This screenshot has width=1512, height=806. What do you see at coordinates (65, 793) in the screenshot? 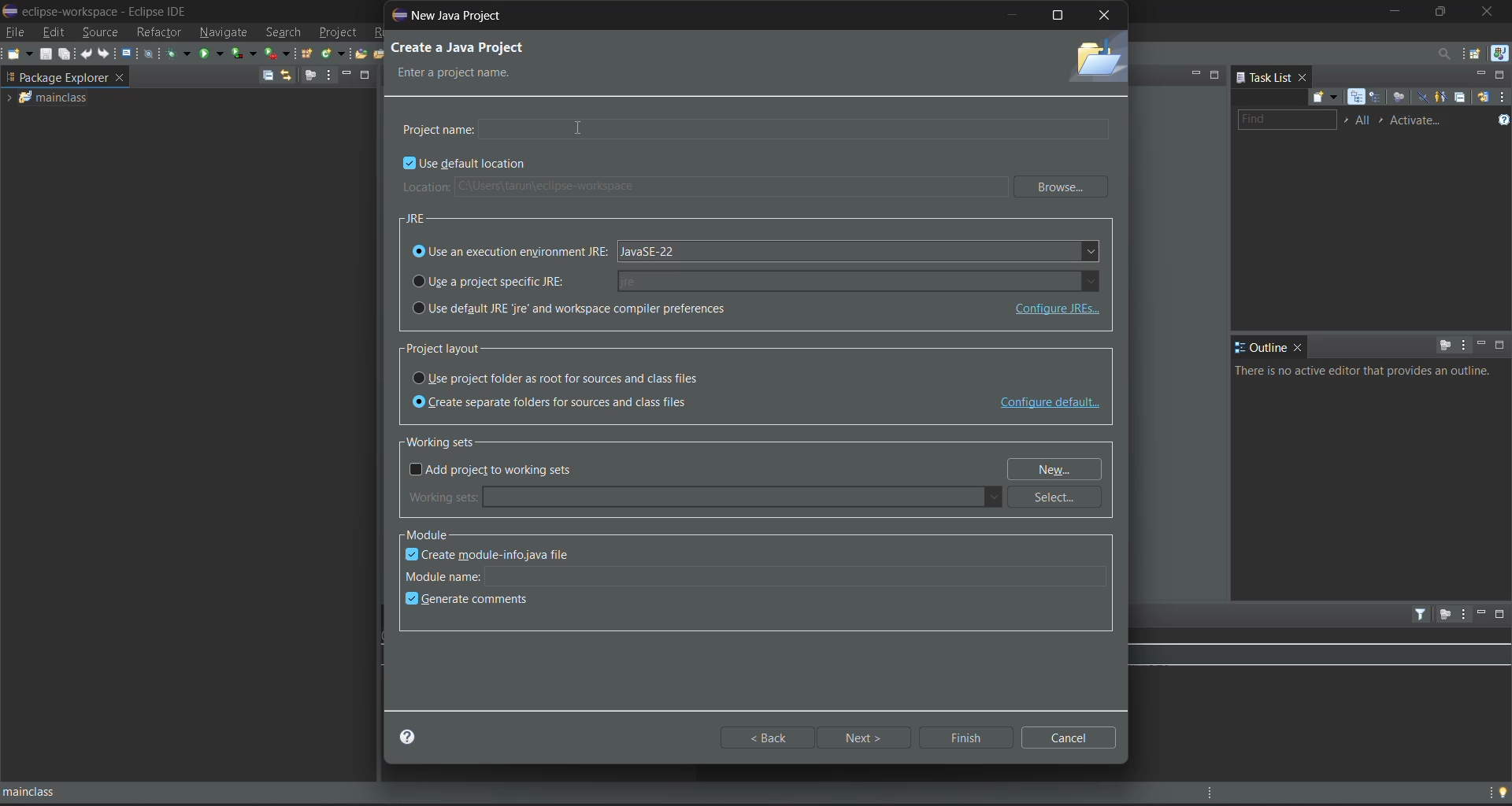
I see `mainclass` at bounding box center [65, 793].